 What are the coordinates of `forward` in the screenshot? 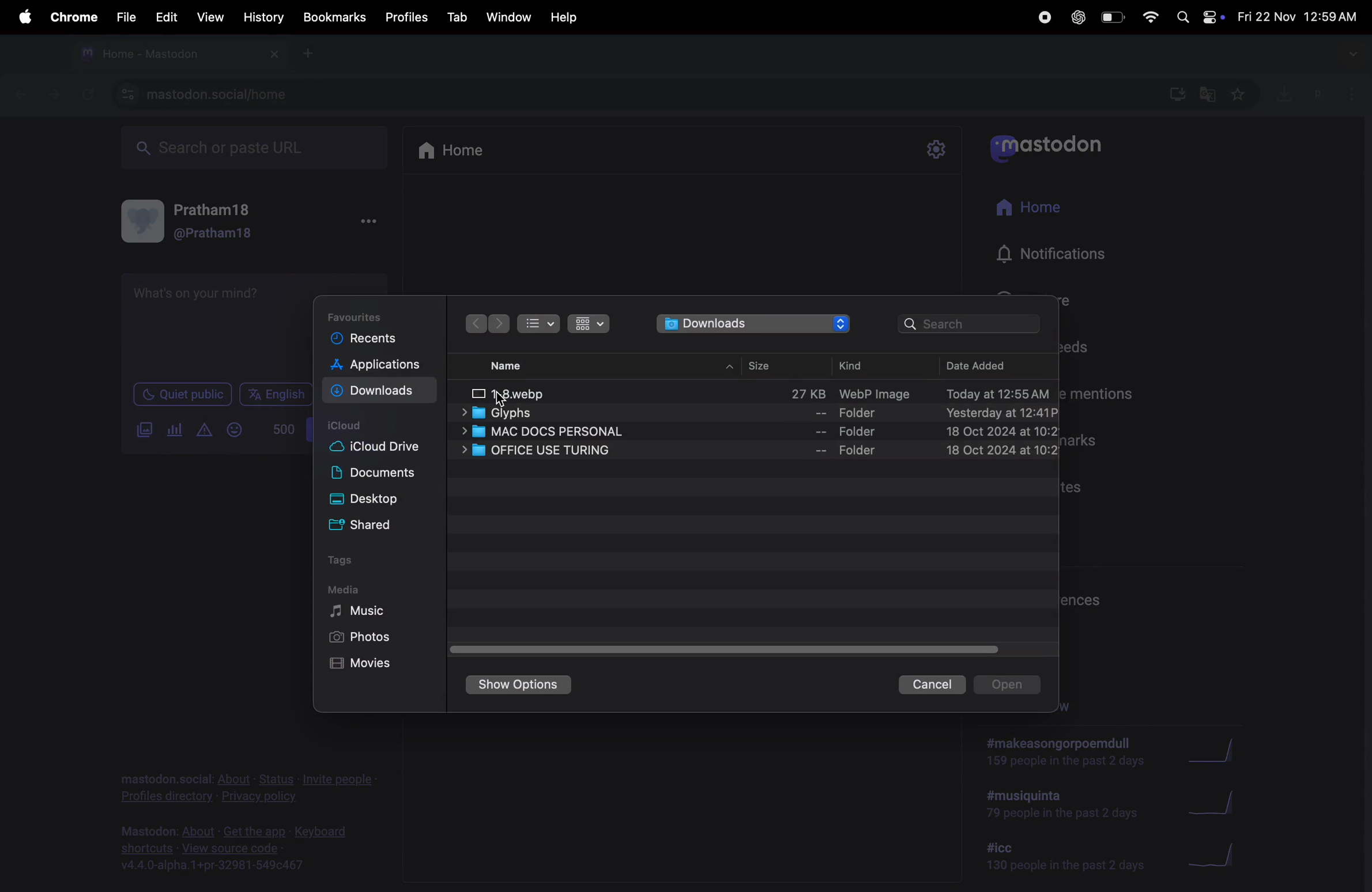 It's located at (55, 96).